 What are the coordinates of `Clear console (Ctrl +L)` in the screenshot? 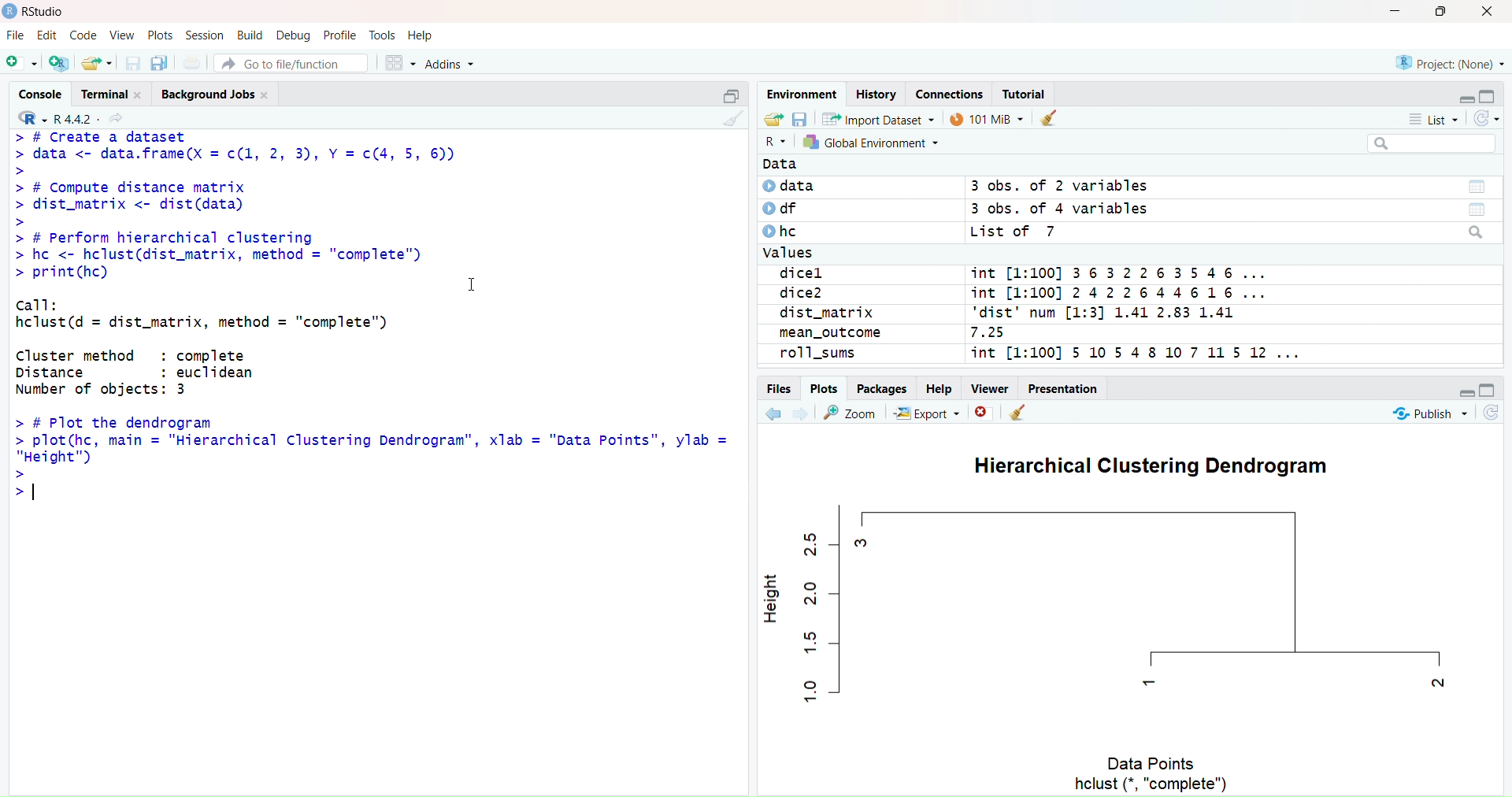 It's located at (1017, 413).